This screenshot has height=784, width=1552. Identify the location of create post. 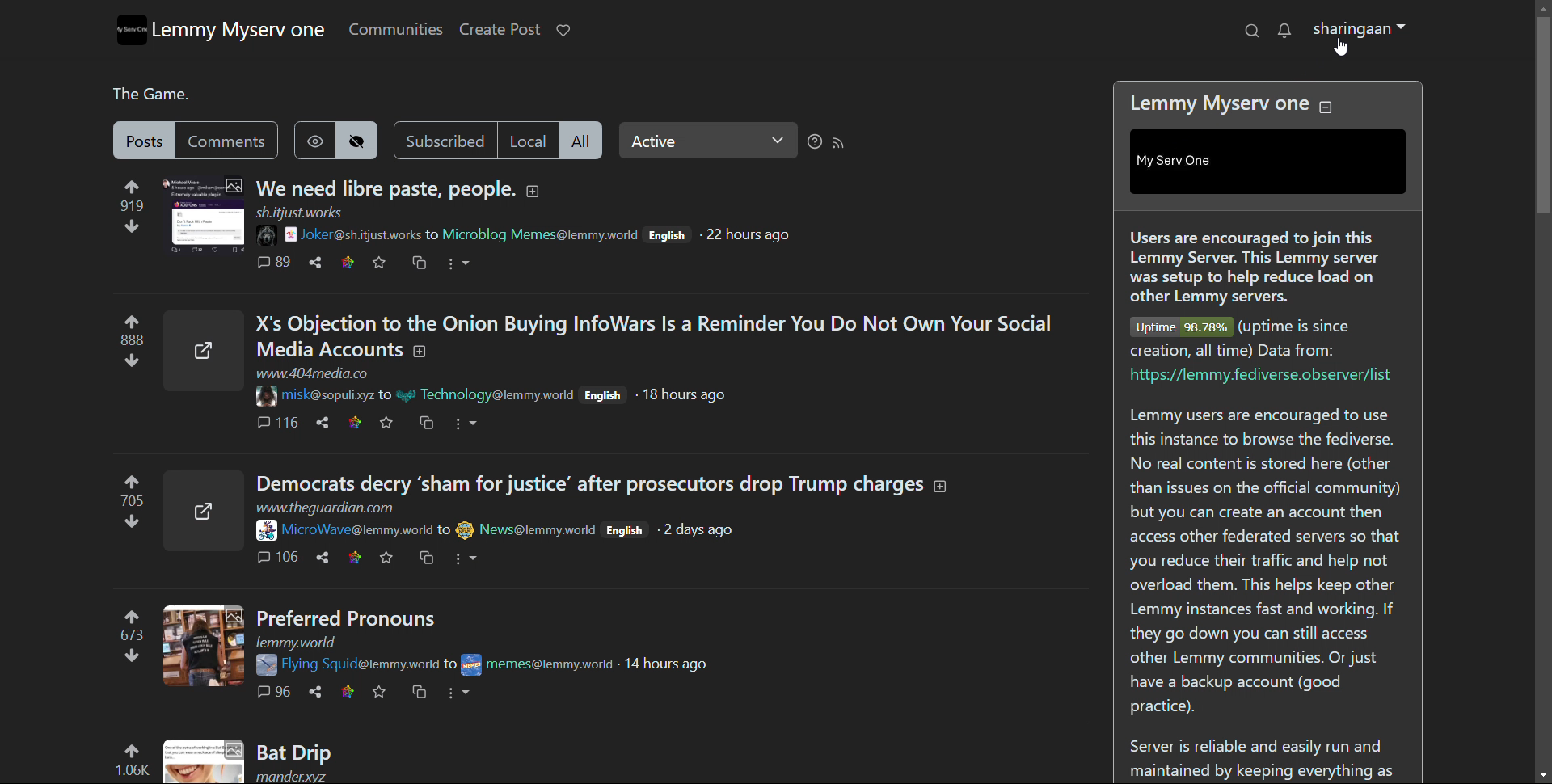
(498, 30).